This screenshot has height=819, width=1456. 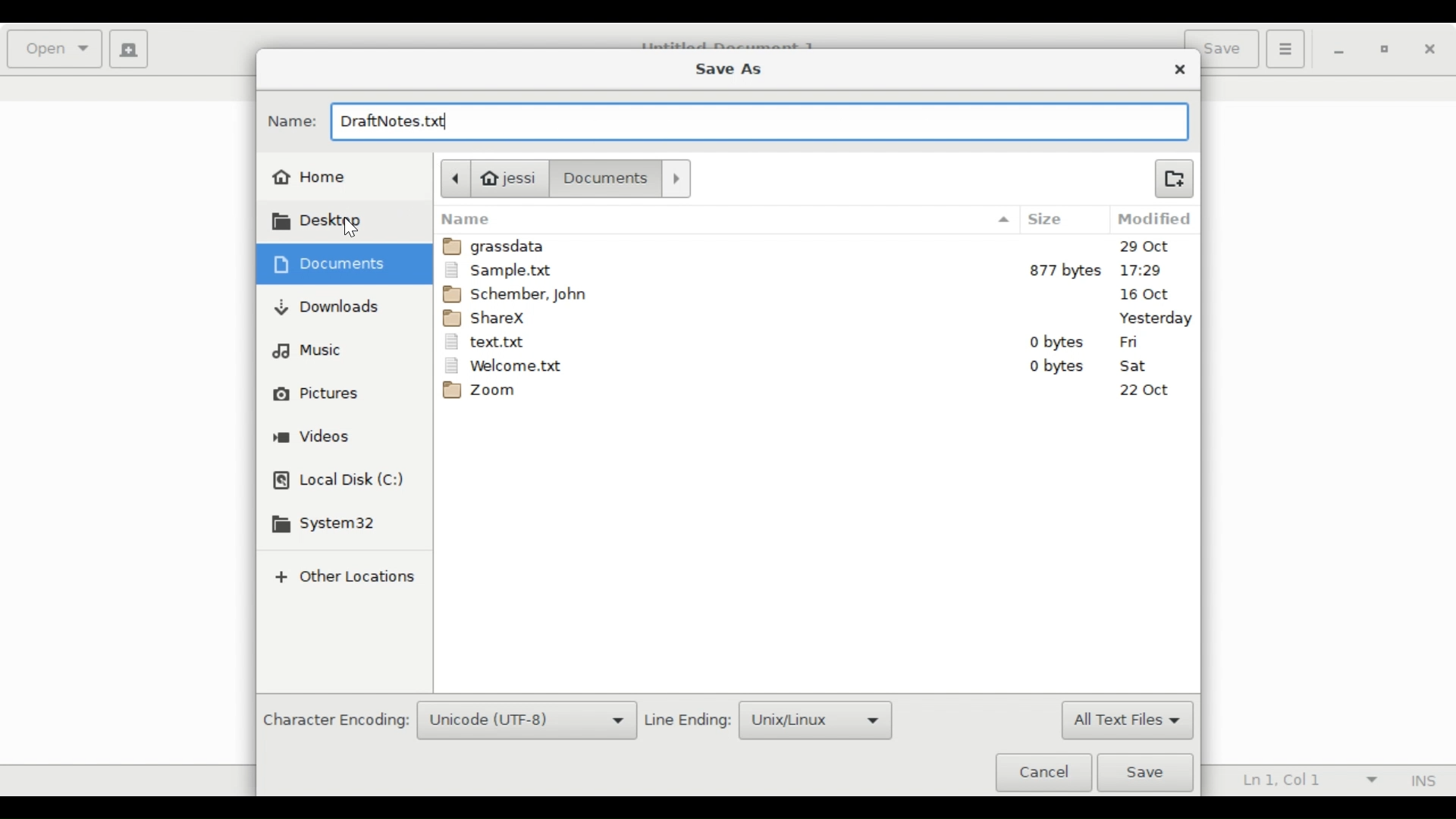 What do you see at coordinates (757, 124) in the screenshot?
I see `DraftNotes.txt` at bounding box center [757, 124].